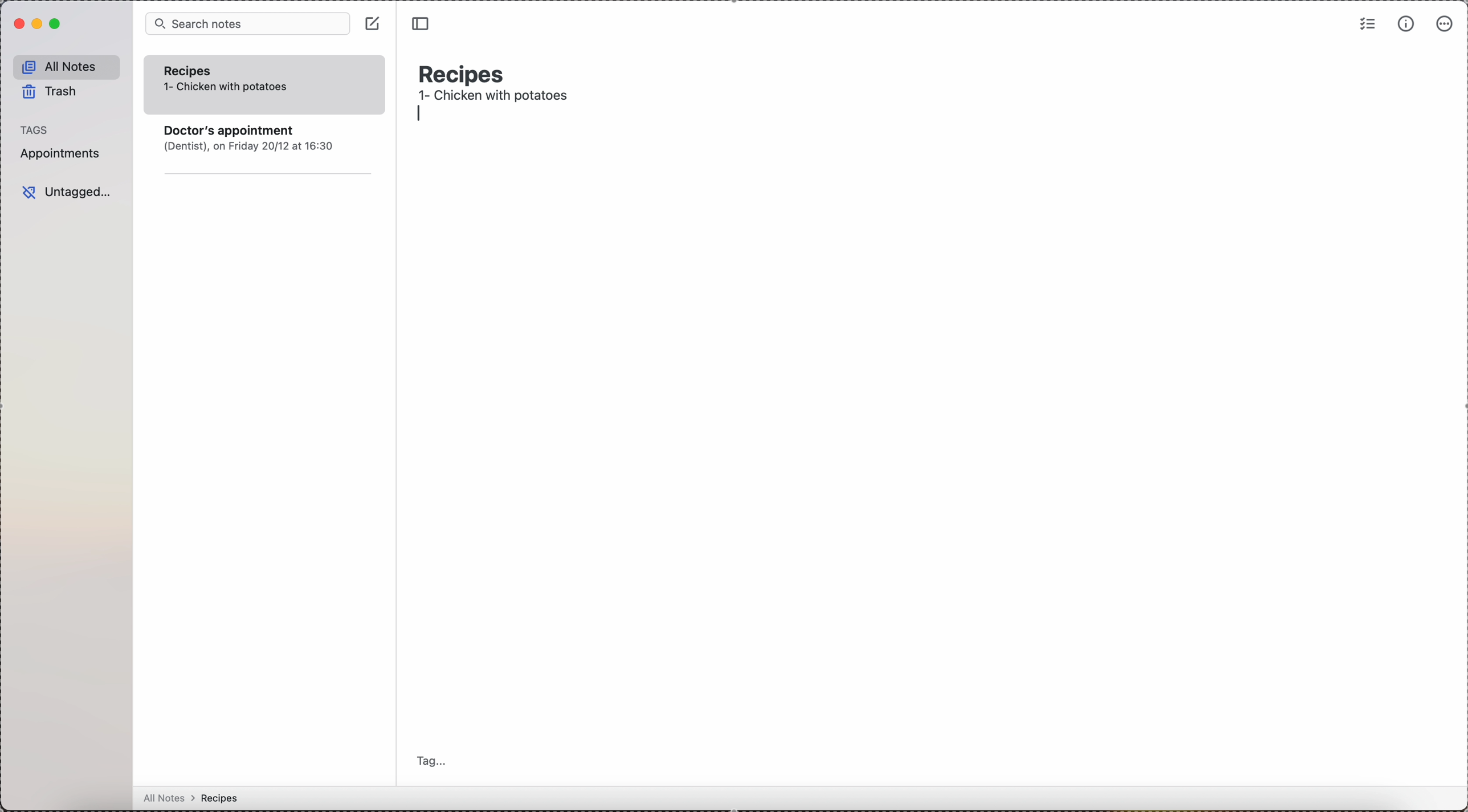 The image size is (1468, 812). I want to click on 1- Chicken with potatoes, so click(499, 97).